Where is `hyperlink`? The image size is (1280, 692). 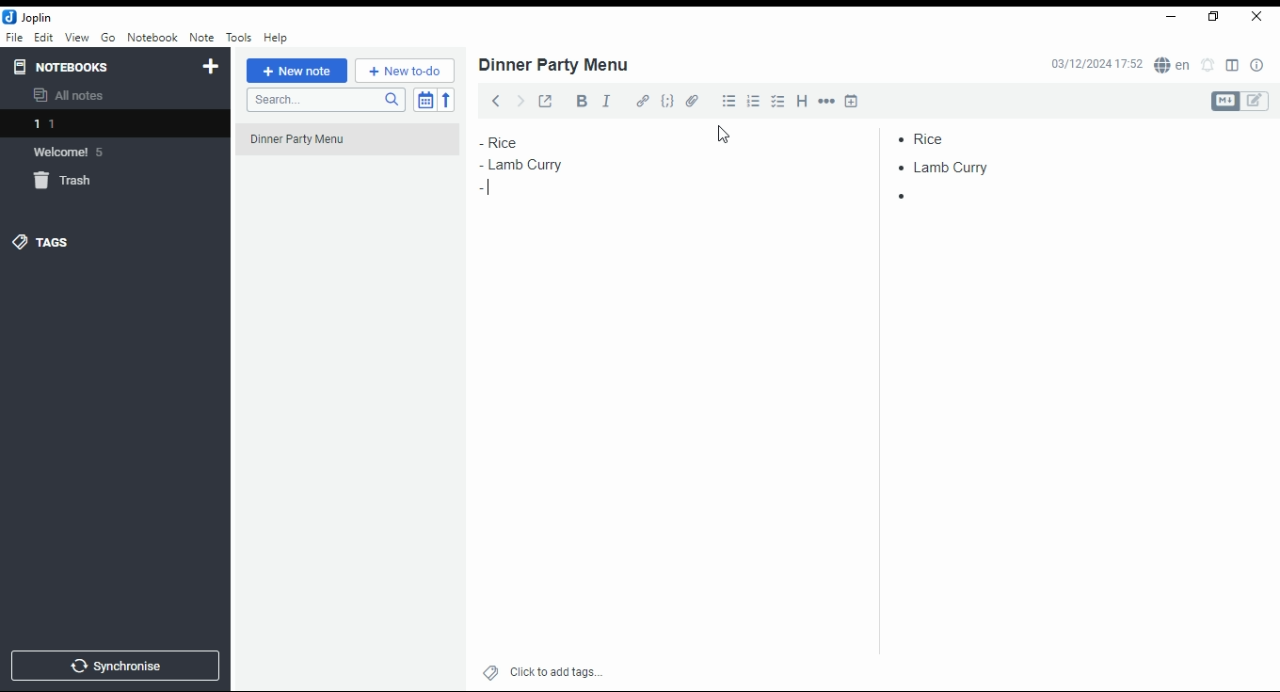
hyperlink is located at coordinates (643, 103).